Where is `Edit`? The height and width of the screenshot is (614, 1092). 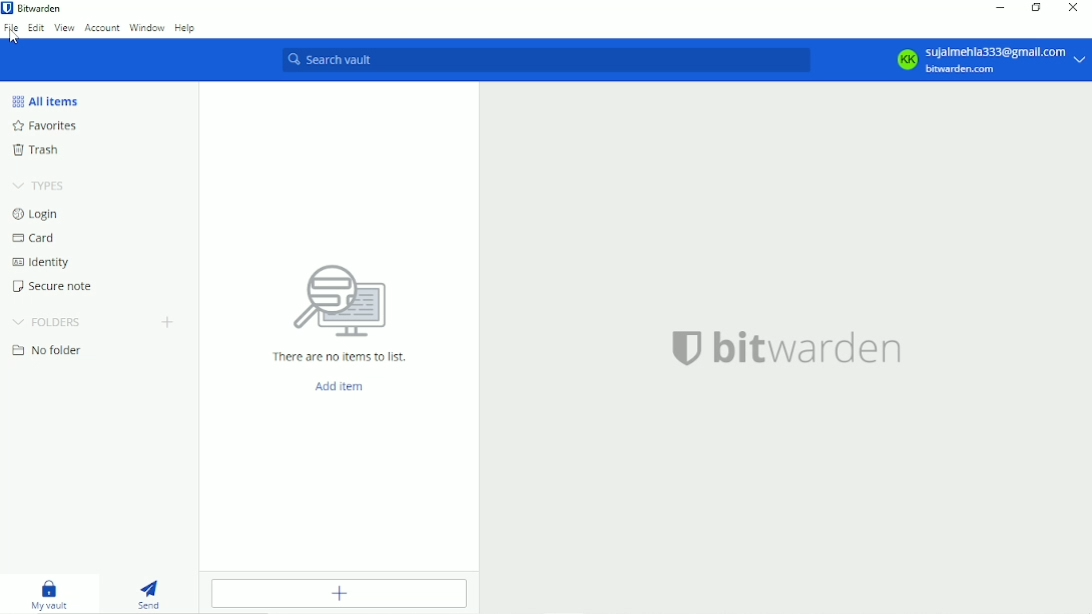
Edit is located at coordinates (35, 28).